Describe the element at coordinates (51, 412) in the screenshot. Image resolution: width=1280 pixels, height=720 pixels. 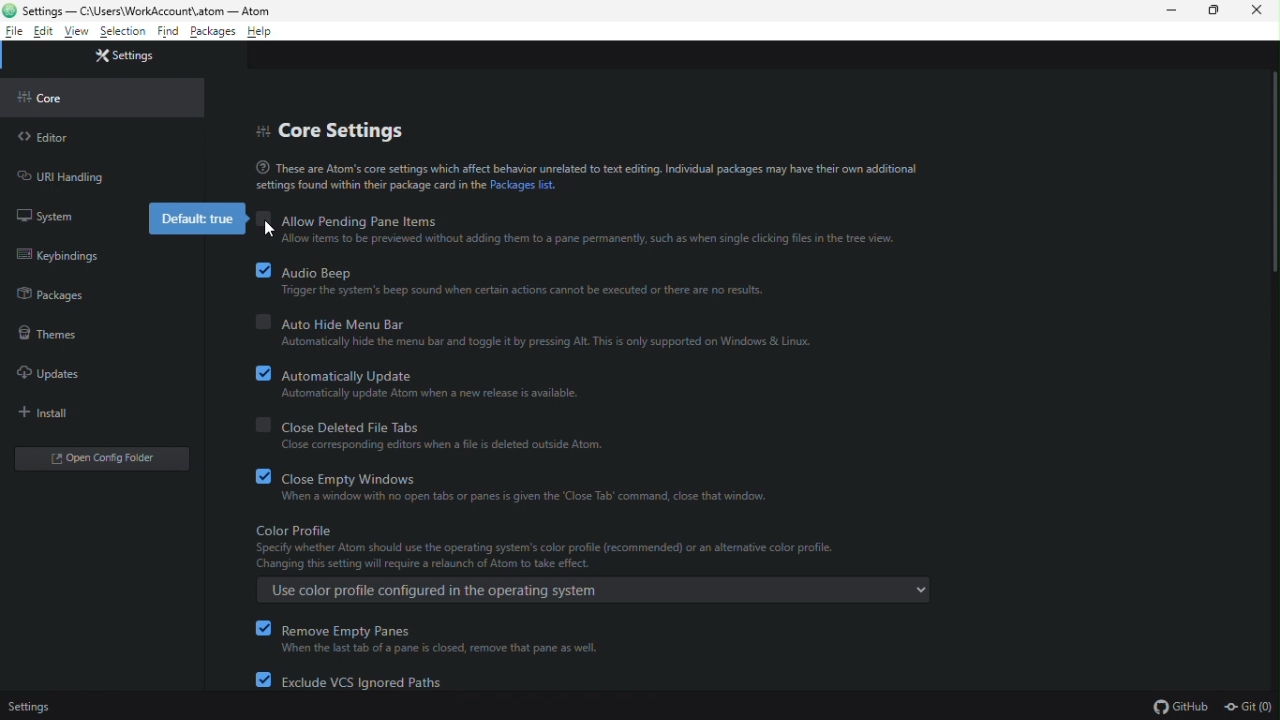
I see `install` at that location.